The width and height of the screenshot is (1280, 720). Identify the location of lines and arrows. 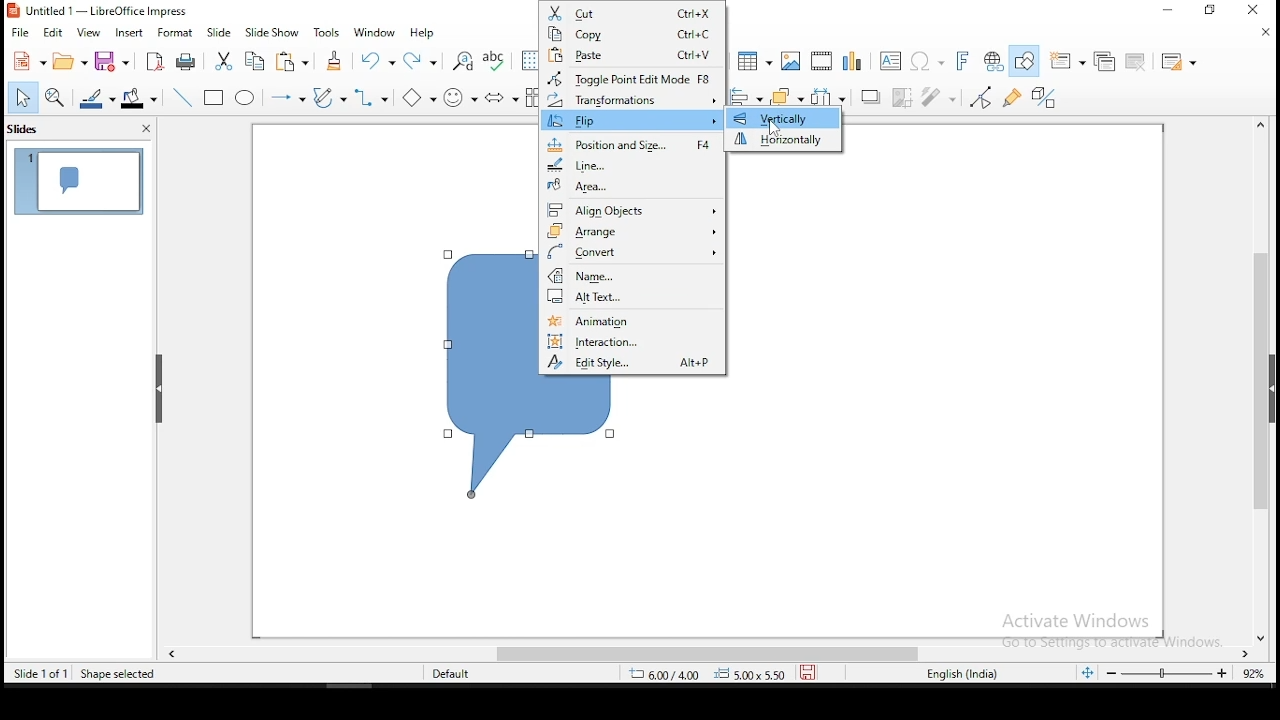
(287, 100).